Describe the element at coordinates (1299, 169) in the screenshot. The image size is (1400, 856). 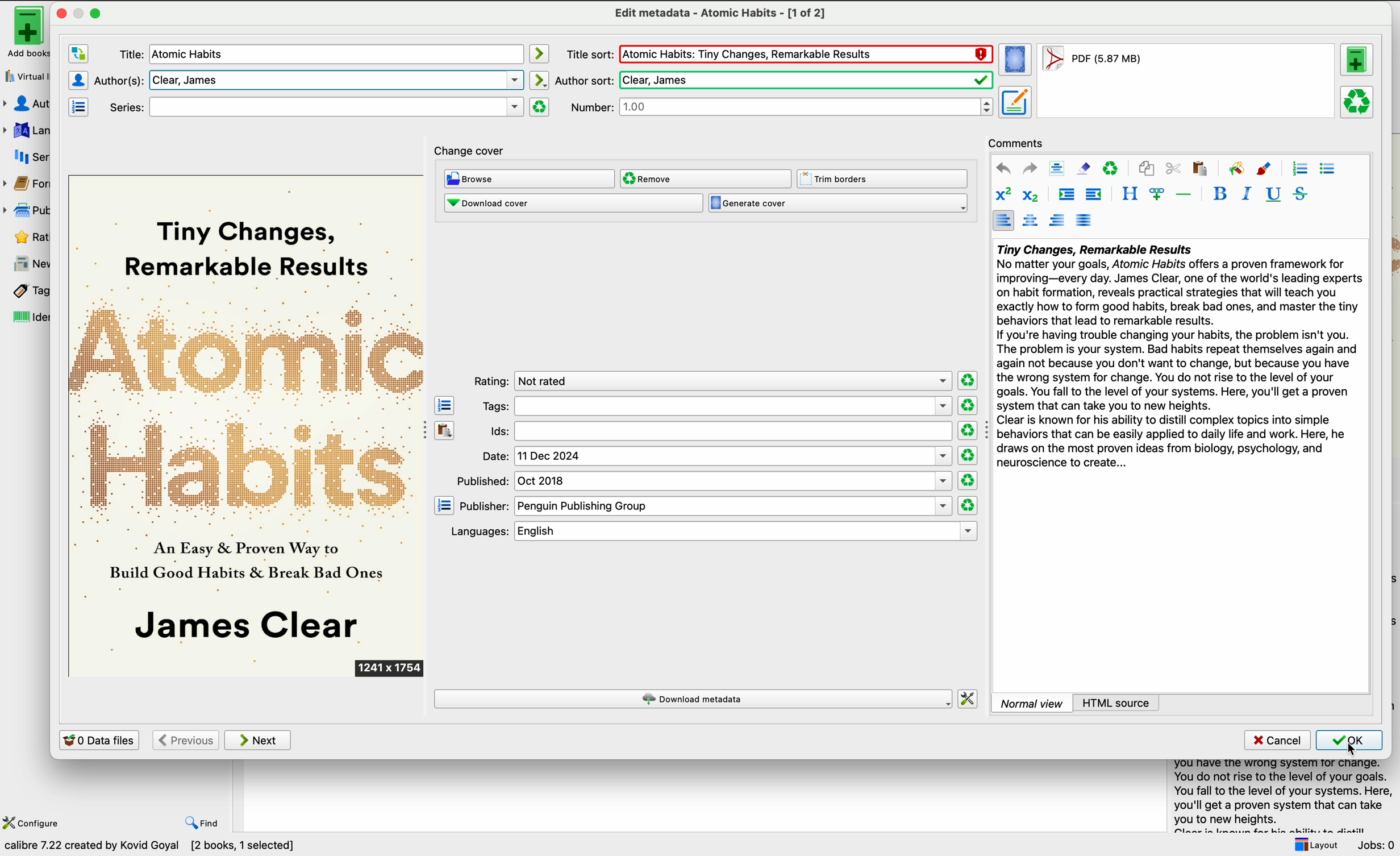
I see `ordered list` at that location.